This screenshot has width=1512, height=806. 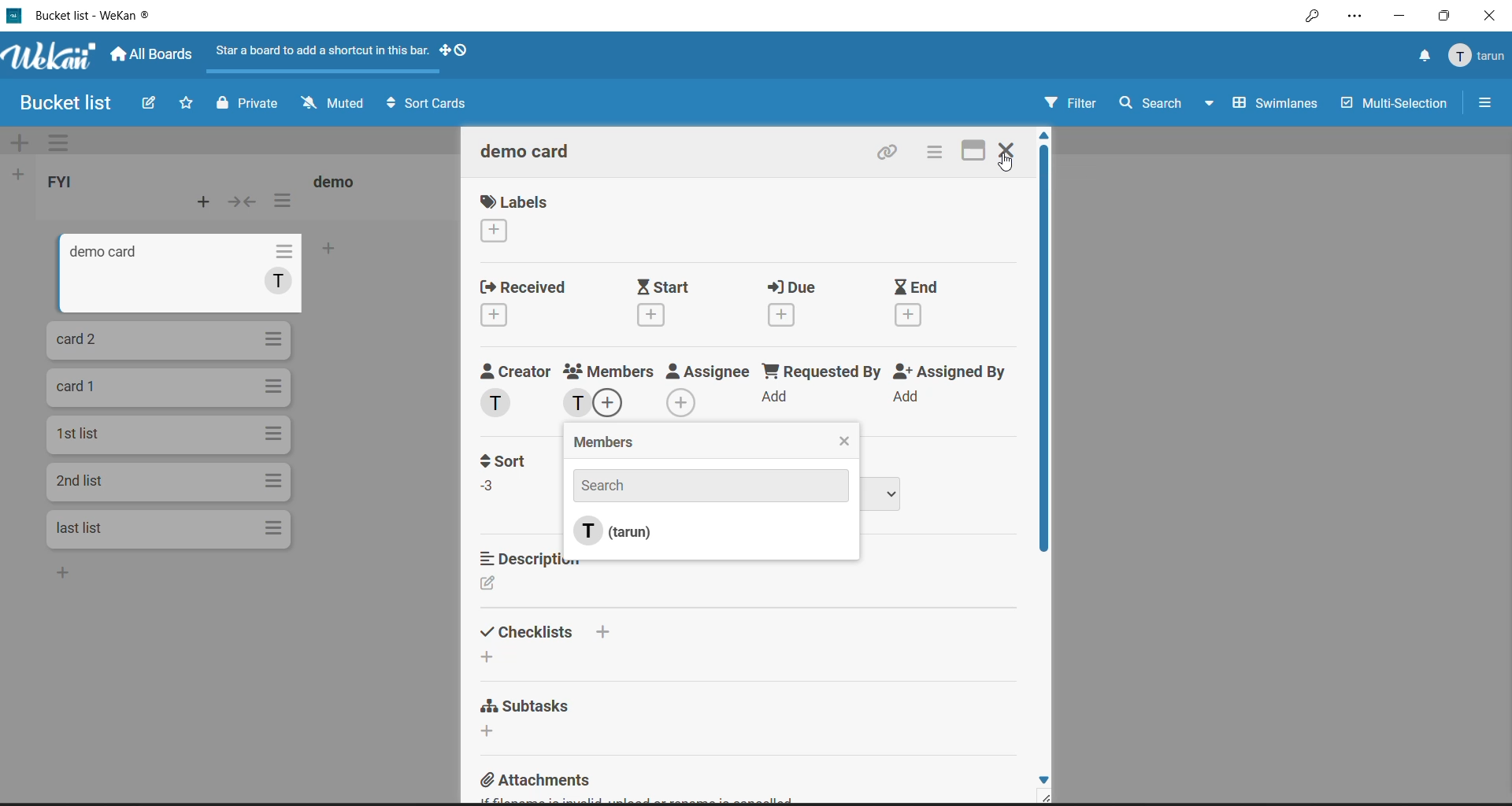 What do you see at coordinates (491, 586) in the screenshot?
I see `edit` at bounding box center [491, 586].